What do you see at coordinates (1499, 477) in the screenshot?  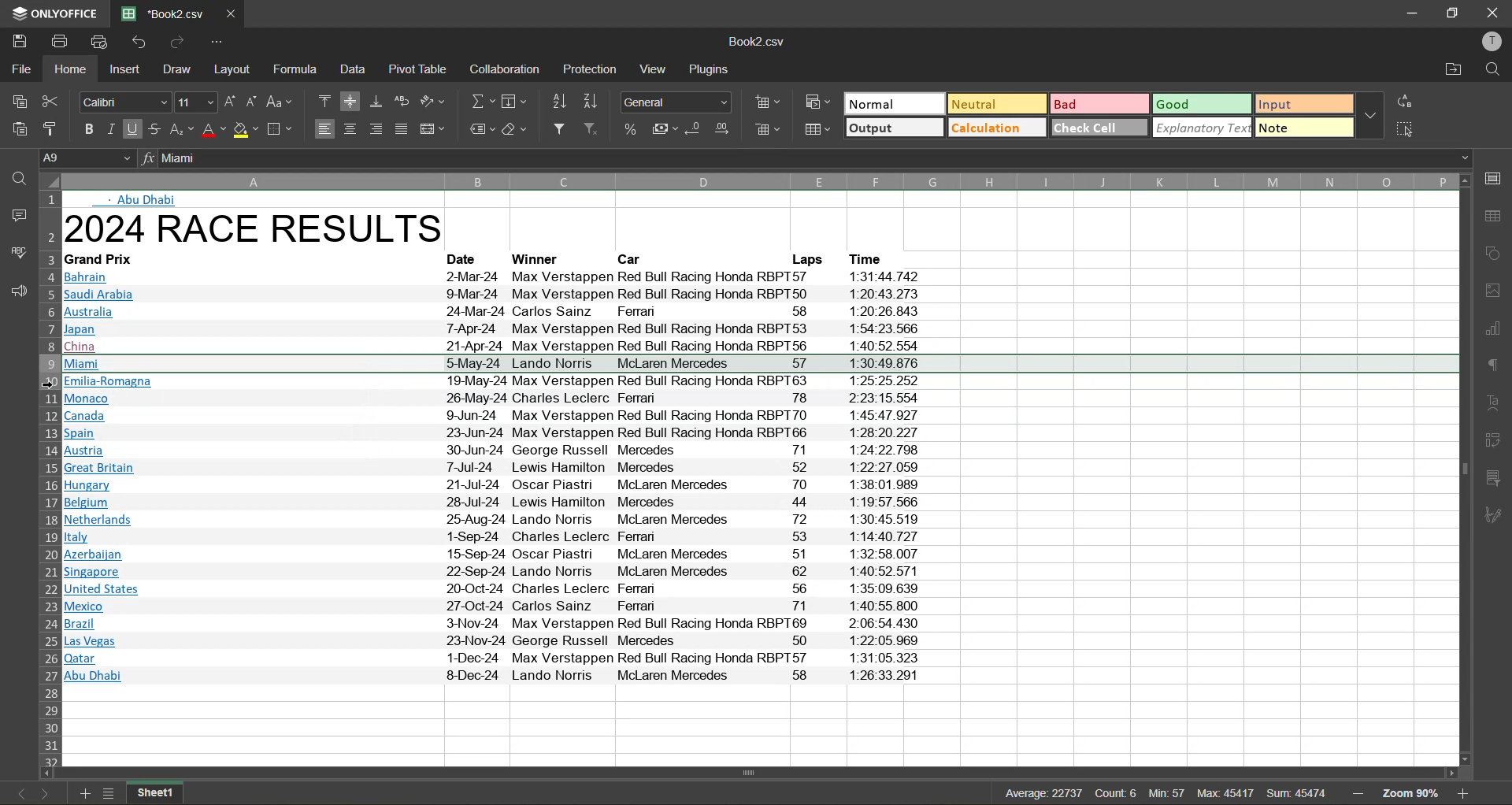 I see `slicer` at bounding box center [1499, 477].